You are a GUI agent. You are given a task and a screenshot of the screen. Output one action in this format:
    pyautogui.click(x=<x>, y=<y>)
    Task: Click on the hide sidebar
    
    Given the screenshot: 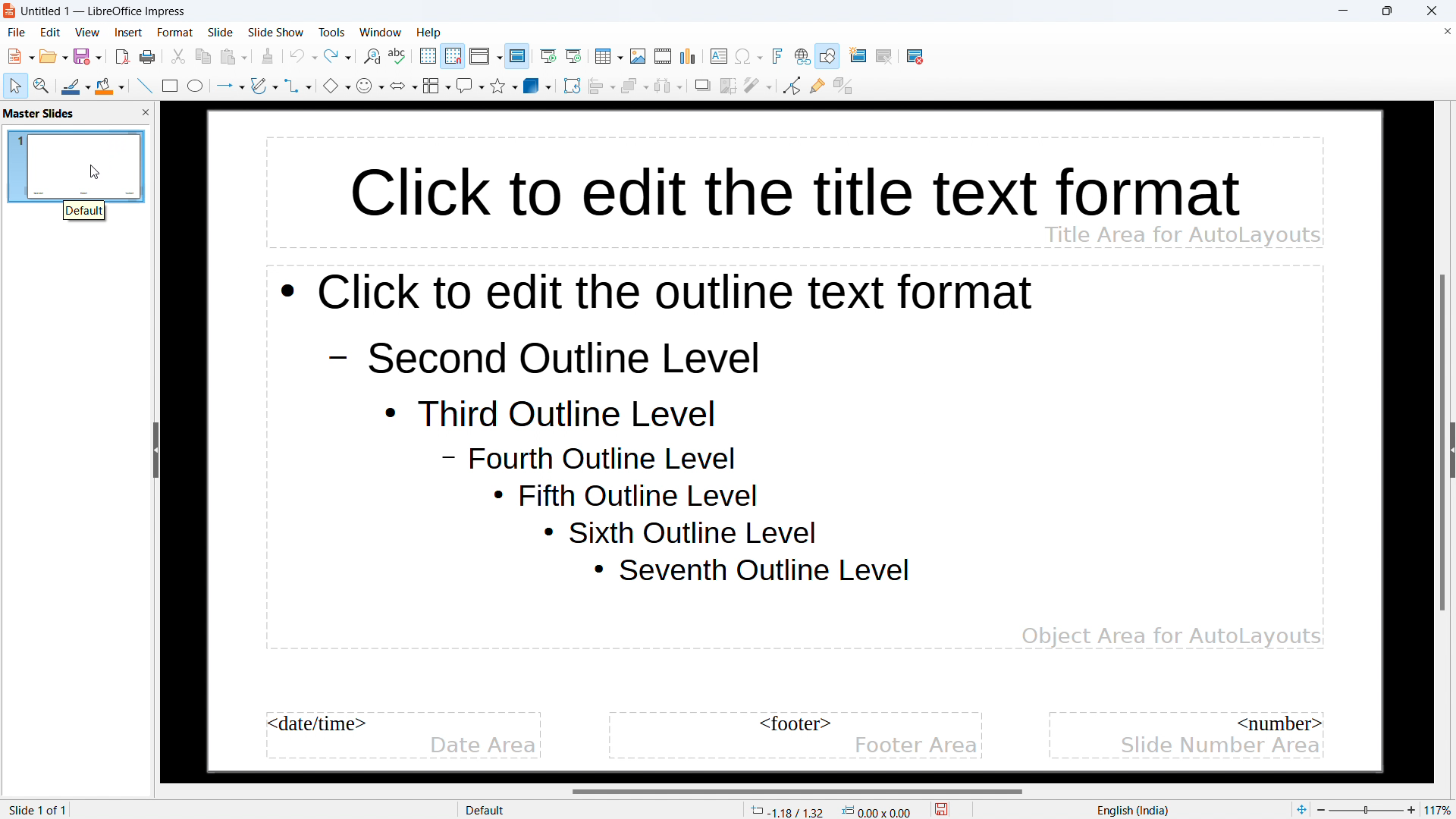 What is the action you would take?
    pyautogui.click(x=155, y=450)
    